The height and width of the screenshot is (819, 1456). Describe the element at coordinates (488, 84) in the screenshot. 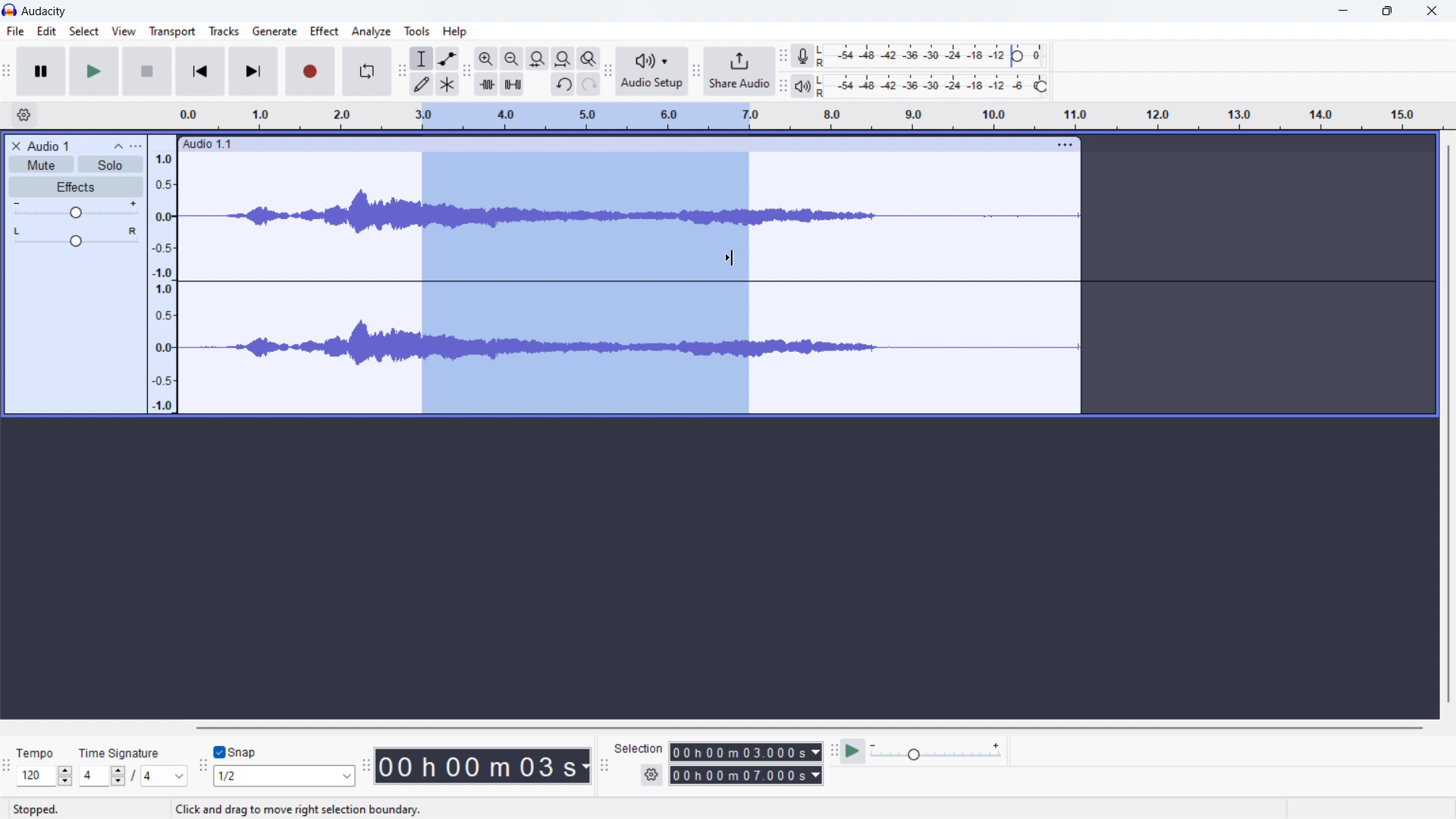

I see `trim audio outside selection` at that location.